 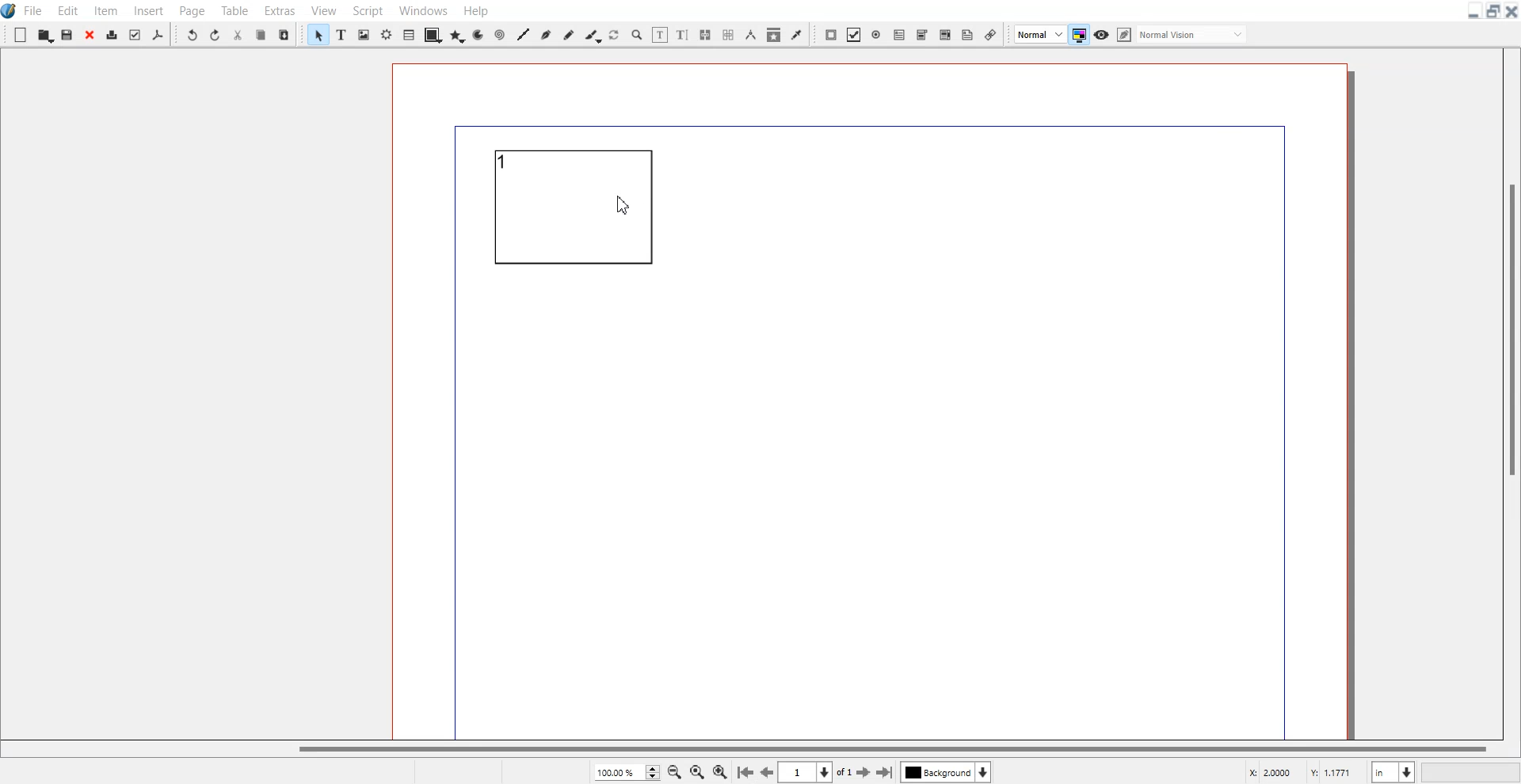 I want to click on Render frame, so click(x=386, y=34).